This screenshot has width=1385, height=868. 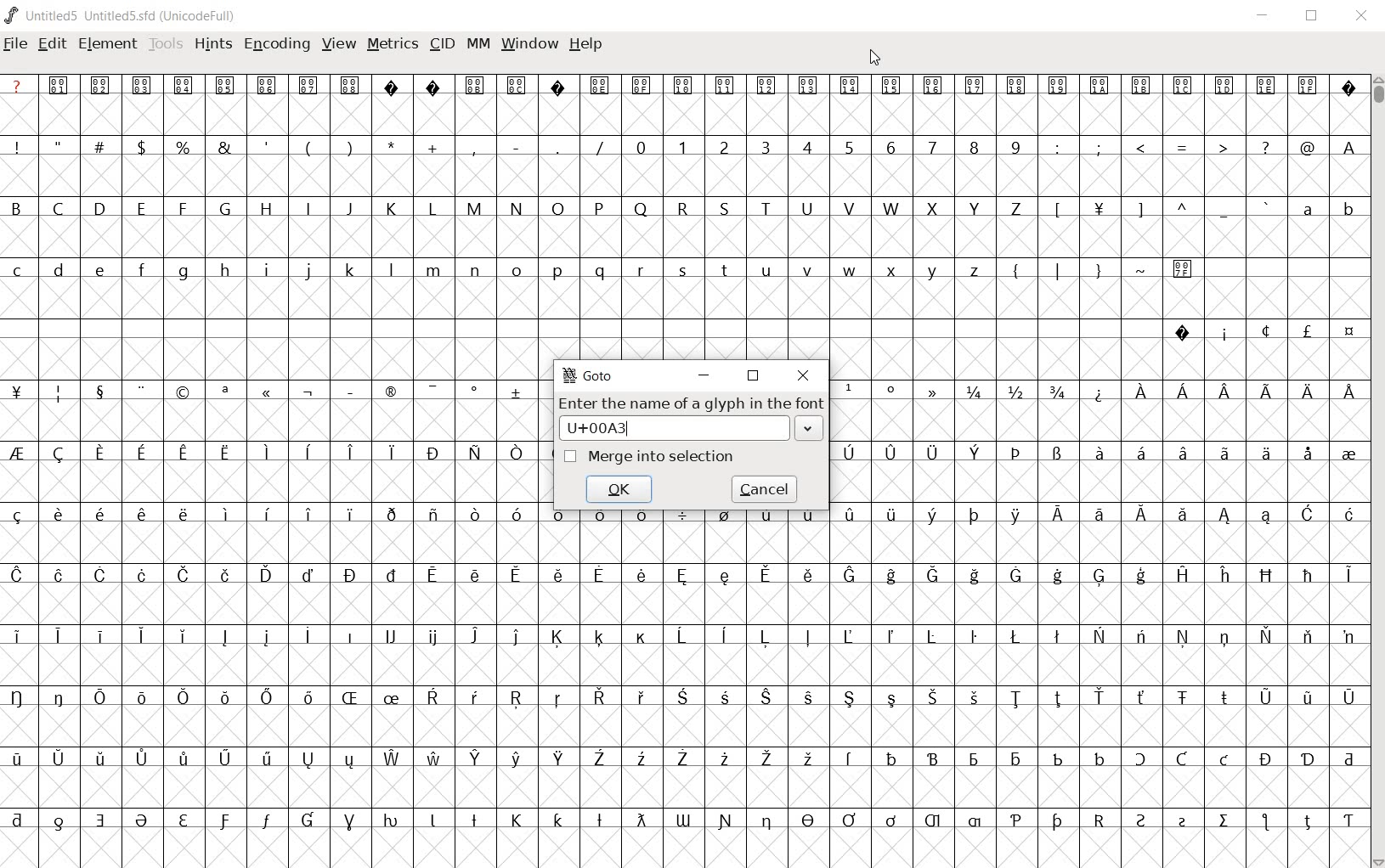 What do you see at coordinates (141, 273) in the screenshot?
I see `f` at bounding box center [141, 273].